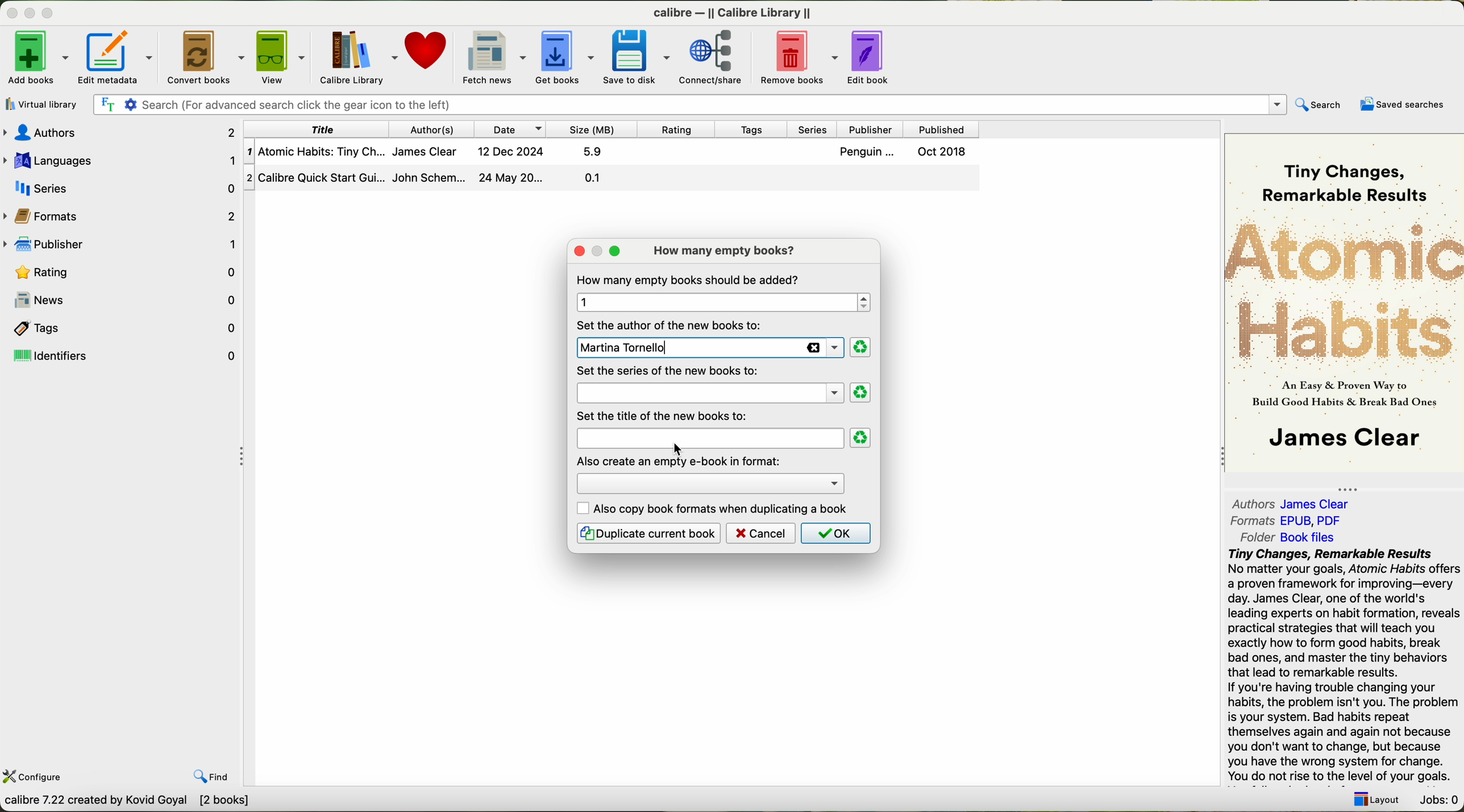 The height and width of the screenshot is (812, 1464). What do you see at coordinates (596, 128) in the screenshot?
I see `size` at bounding box center [596, 128].